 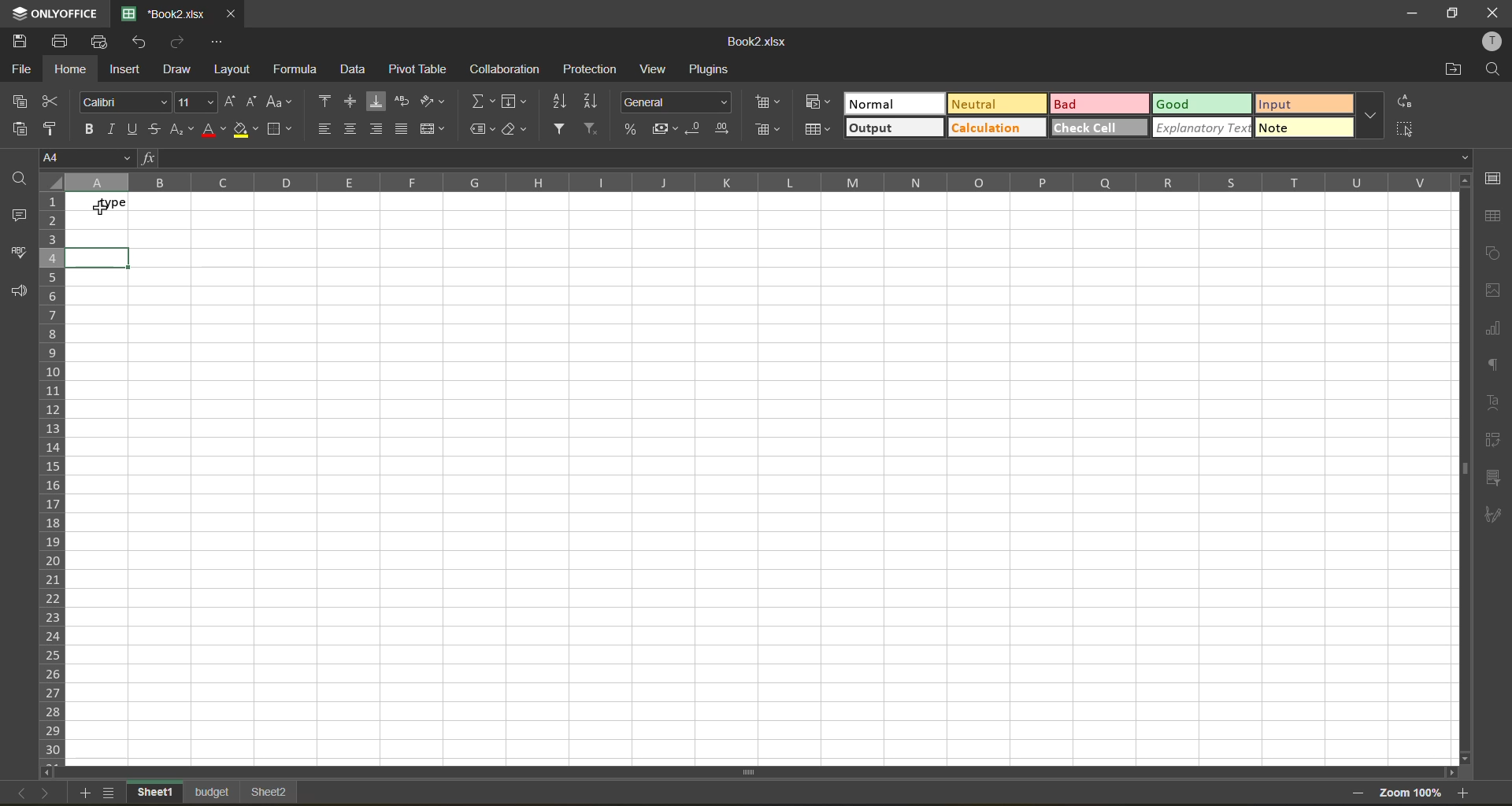 What do you see at coordinates (53, 475) in the screenshot?
I see `row numbers` at bounding box center [53, 475].